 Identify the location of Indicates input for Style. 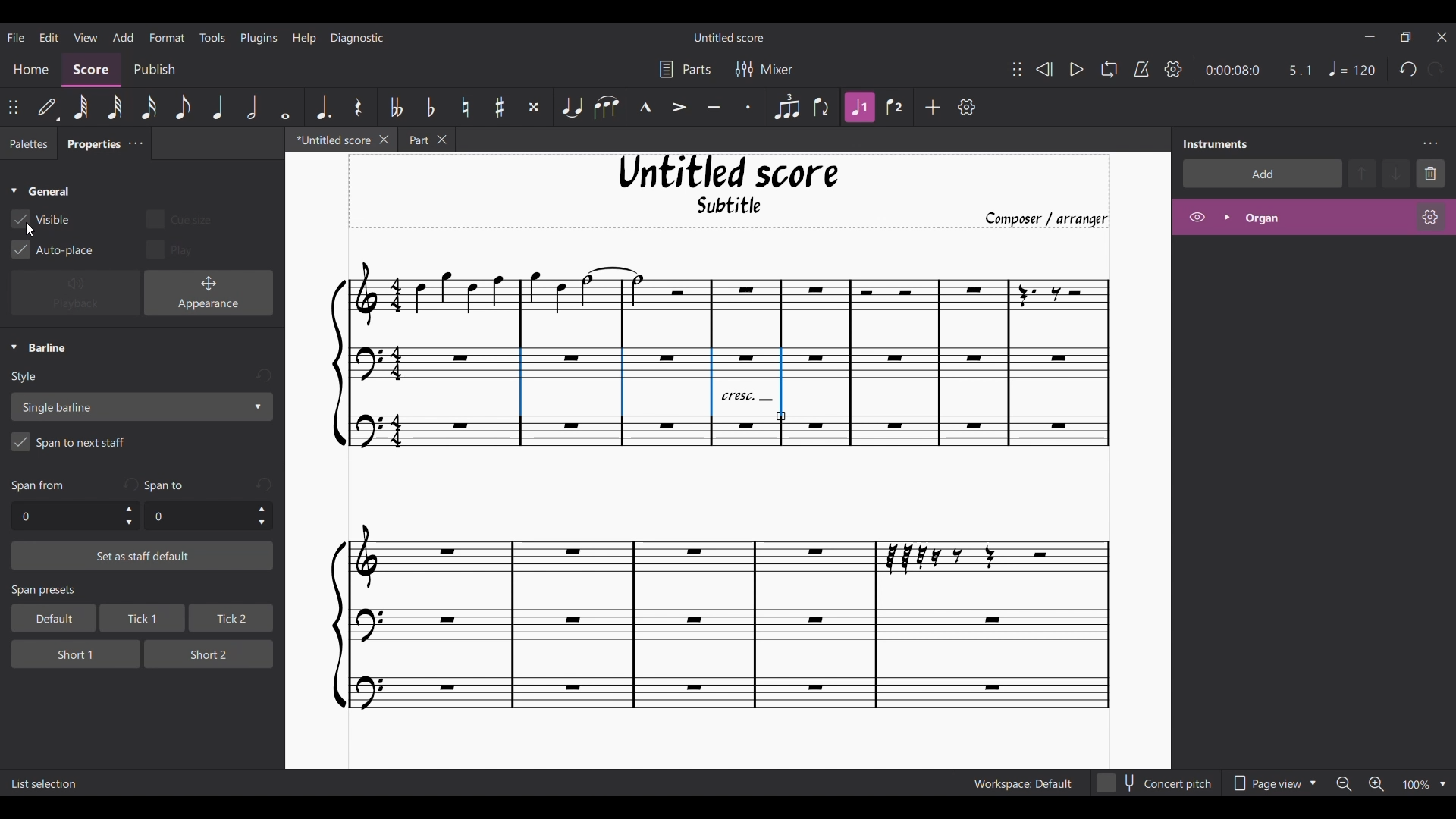
(27, 378).